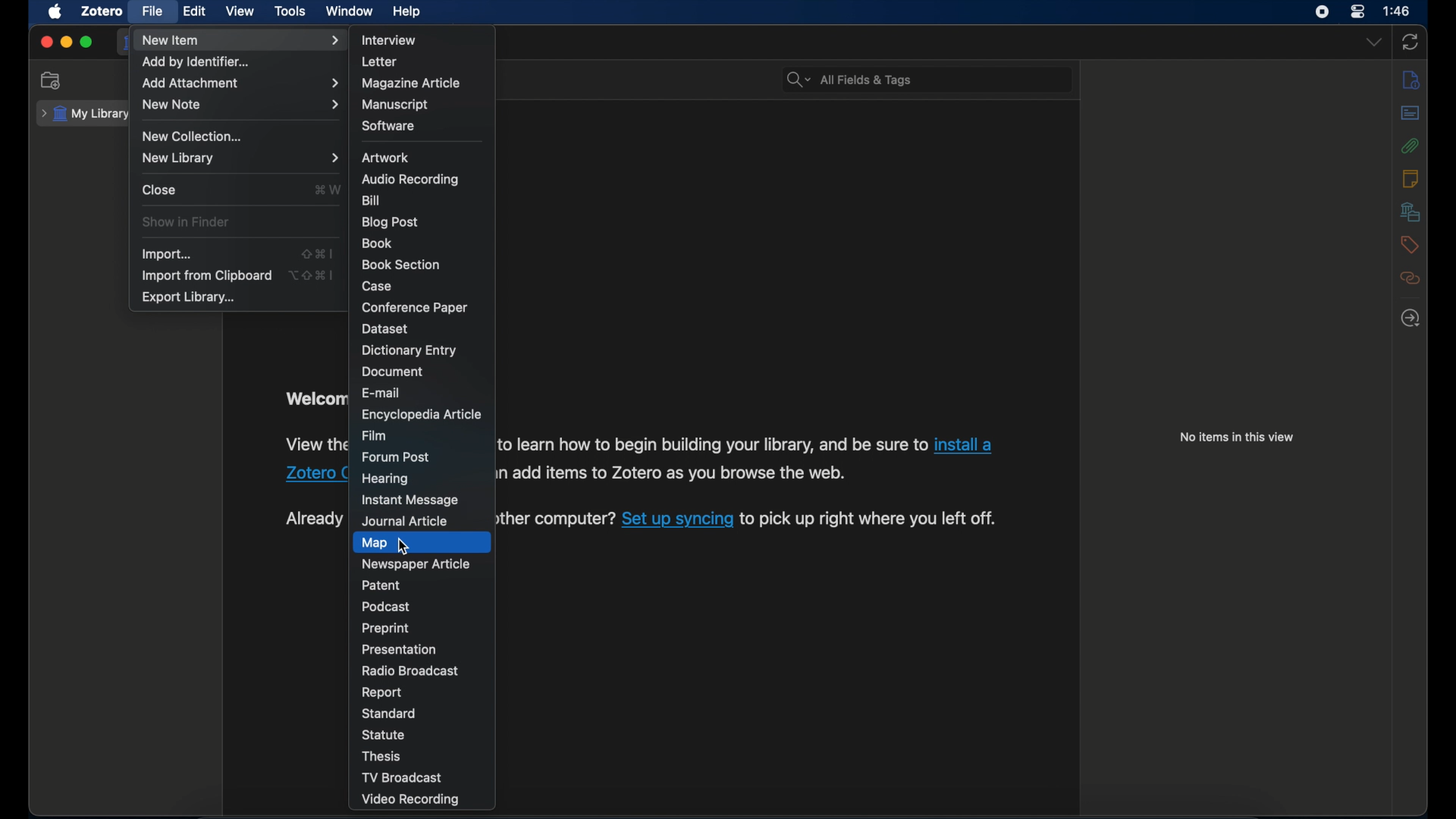  Describe the element at coordinates (311, 397) in the screenshot. I see `Welcome` at that location.